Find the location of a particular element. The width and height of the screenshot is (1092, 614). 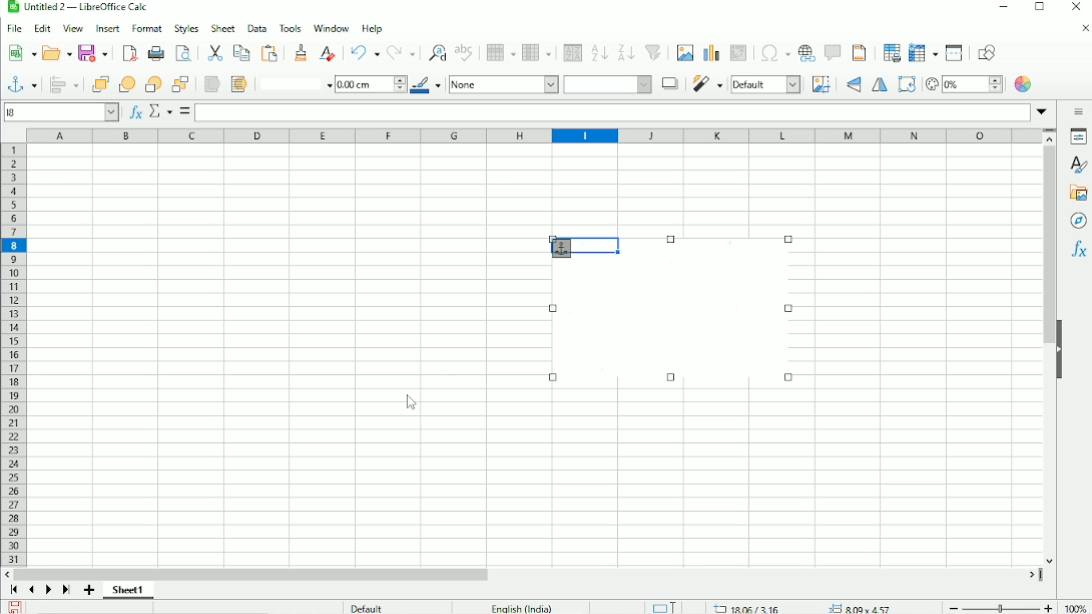

Sort descending is located at coordinates (626, 52).